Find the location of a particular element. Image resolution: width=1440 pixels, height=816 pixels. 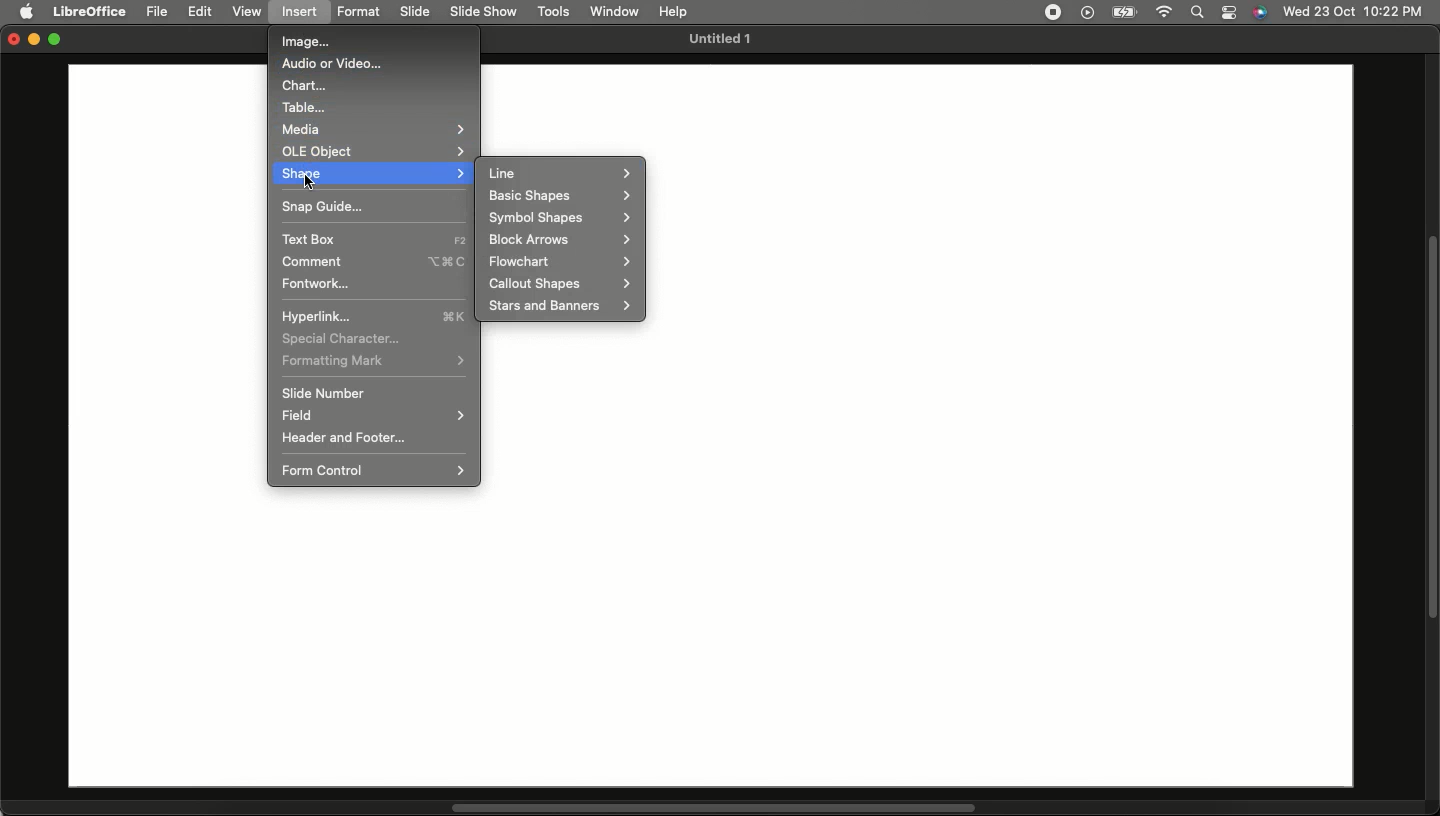

Scroll is located at coordinates (1431, 429).